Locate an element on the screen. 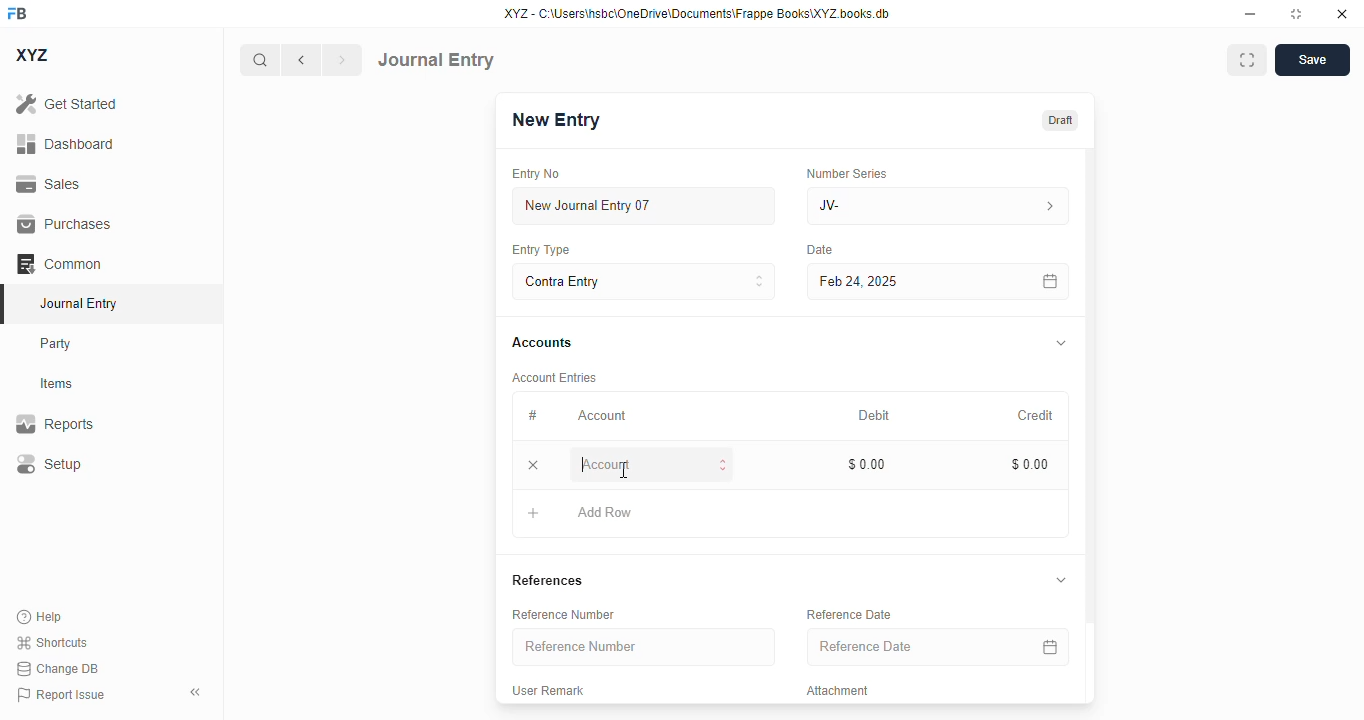  contra entry  is located at coordinates (643, 280).